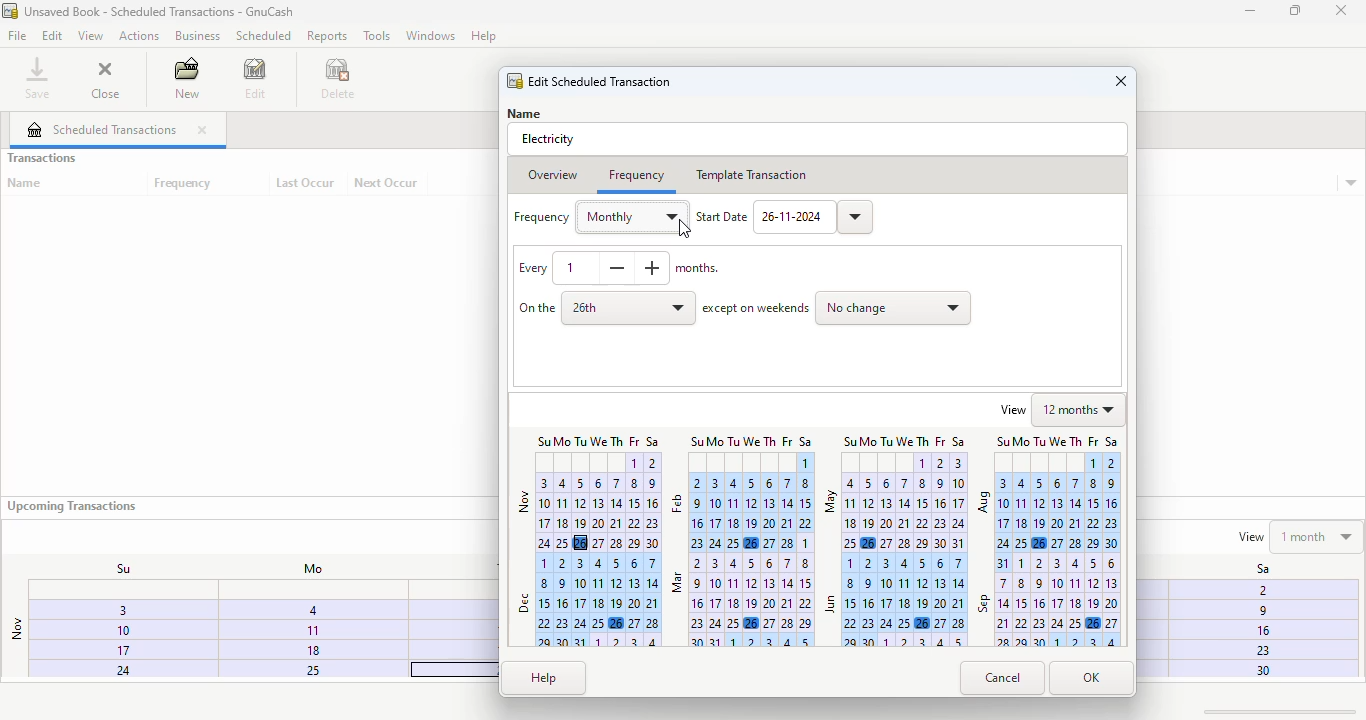  Describe the element at coordinates (302, 670) in the screenshot. I see `25` at that location.